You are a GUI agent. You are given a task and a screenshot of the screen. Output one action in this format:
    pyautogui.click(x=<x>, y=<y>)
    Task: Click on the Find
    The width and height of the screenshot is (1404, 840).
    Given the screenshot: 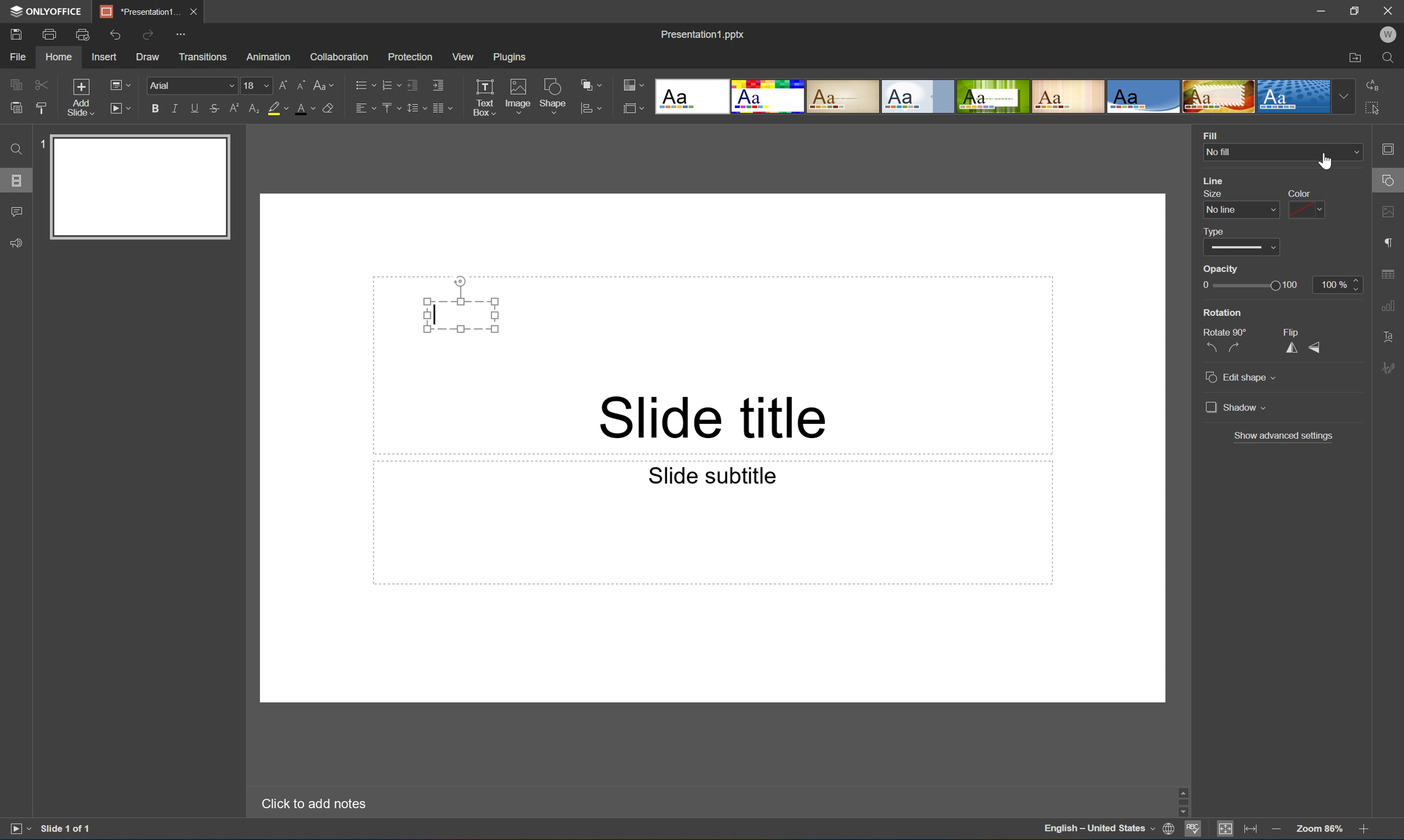 What is the action you would take?
    pyautogui.click(x=1393, y=58)
    